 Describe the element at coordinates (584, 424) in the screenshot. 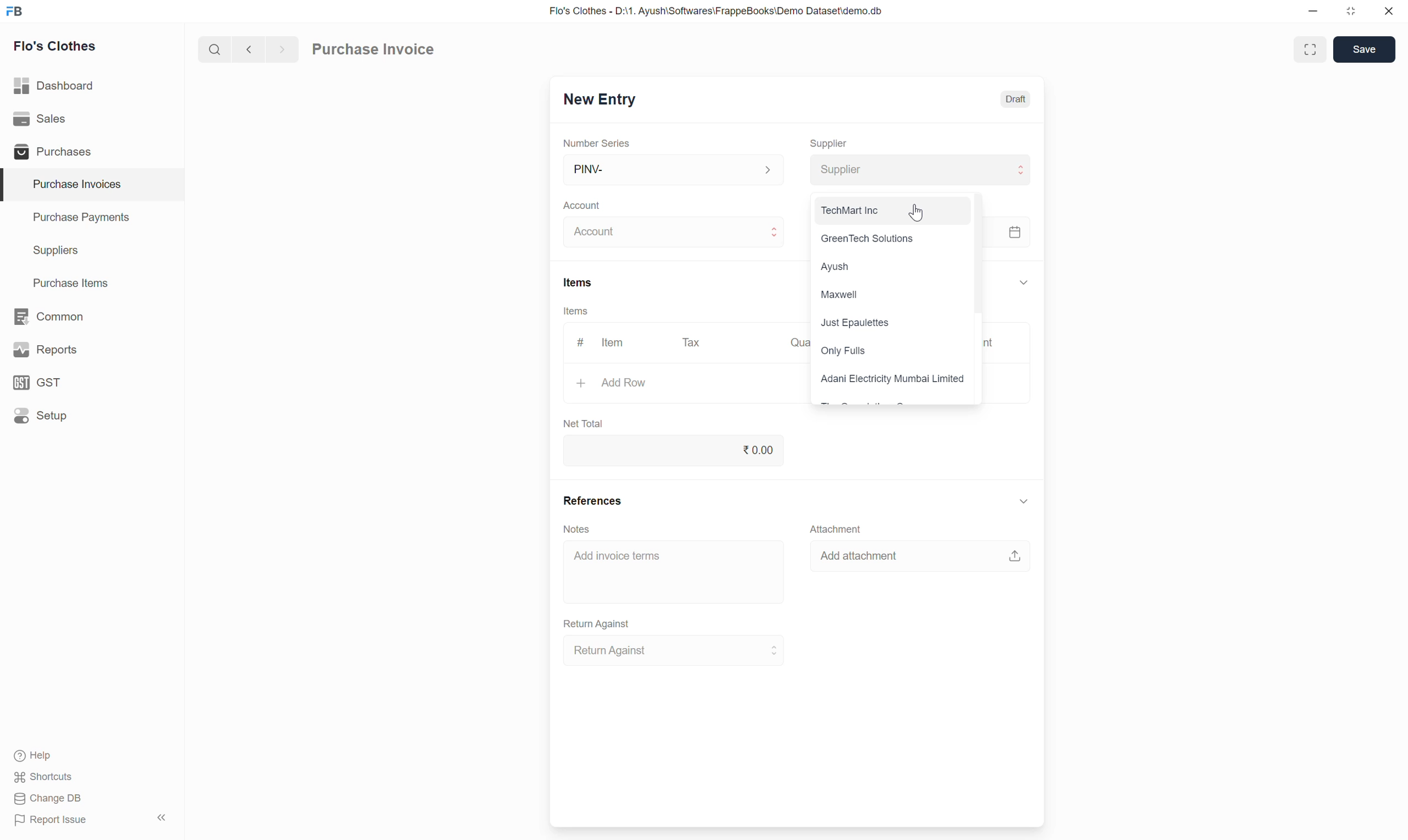

I see `Net Total` at that location.